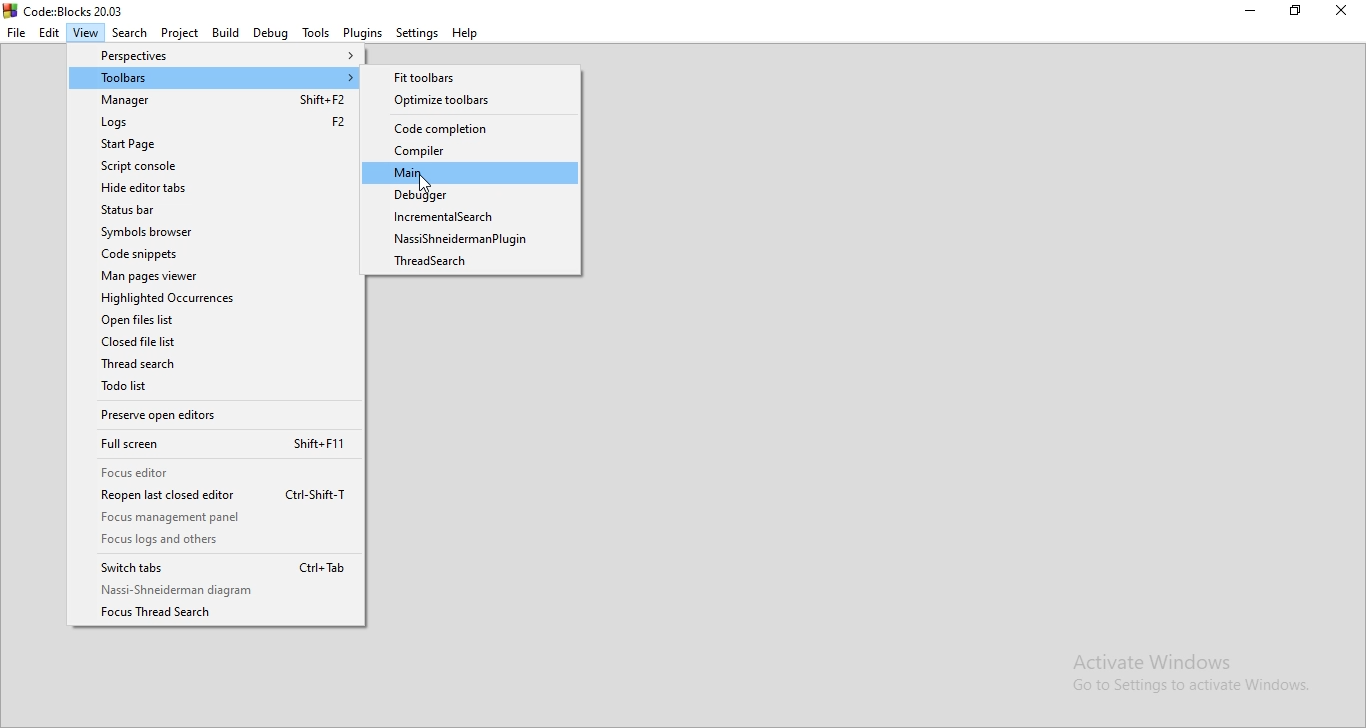 The width and height of the screenshot is (1366, 728). I want to click on Status bar, so click(216, 208).